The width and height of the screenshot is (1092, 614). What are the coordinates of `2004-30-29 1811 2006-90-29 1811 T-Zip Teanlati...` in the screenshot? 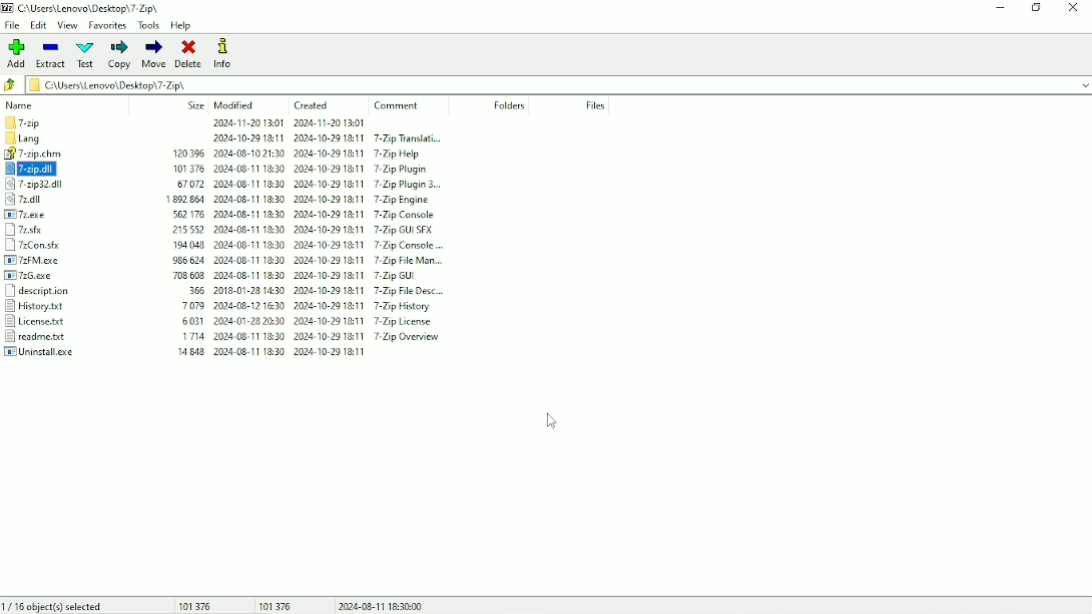 It's located at (334, 140).